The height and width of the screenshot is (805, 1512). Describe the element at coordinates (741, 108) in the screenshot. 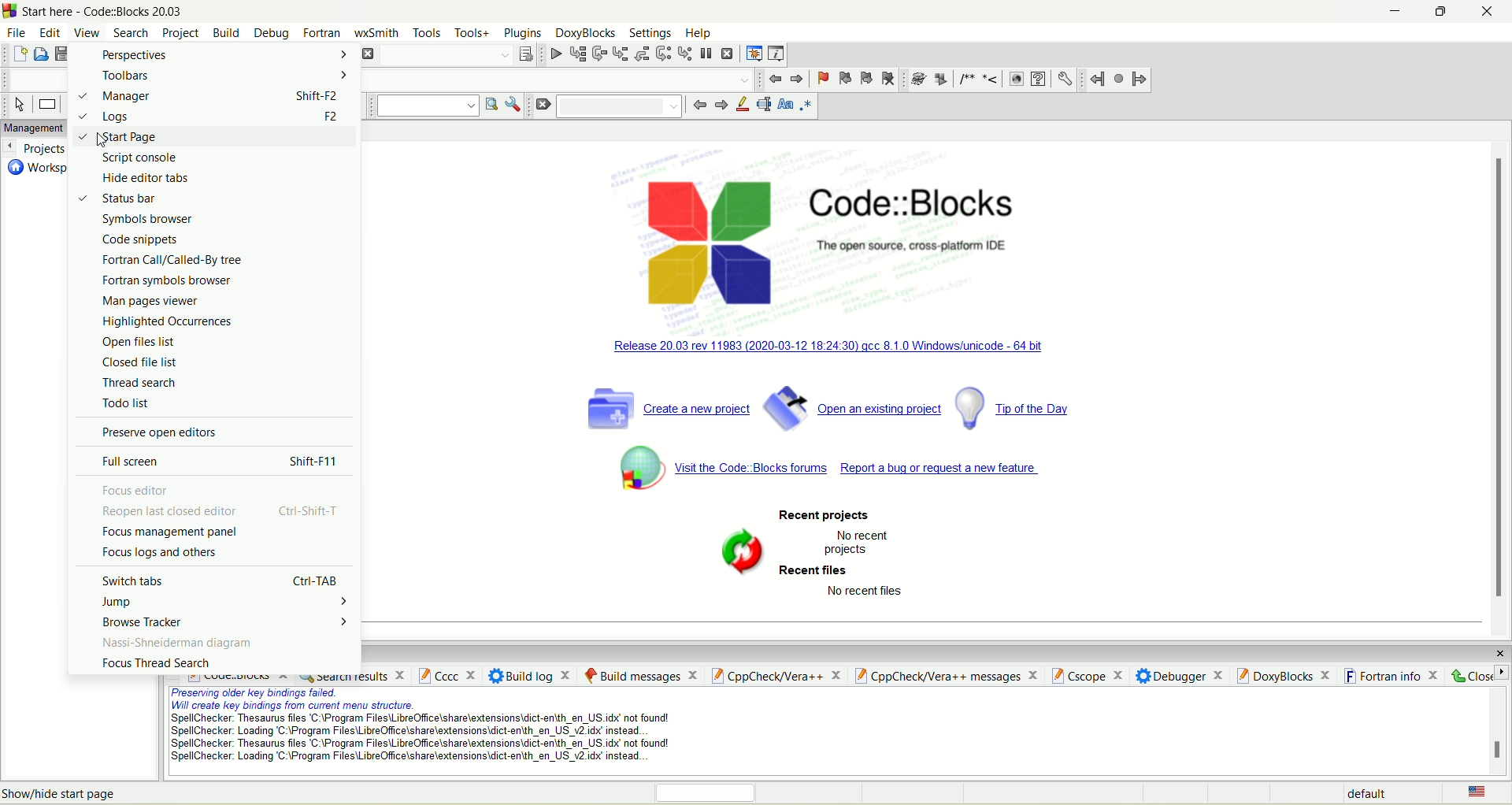

I see `highlight` at that location.